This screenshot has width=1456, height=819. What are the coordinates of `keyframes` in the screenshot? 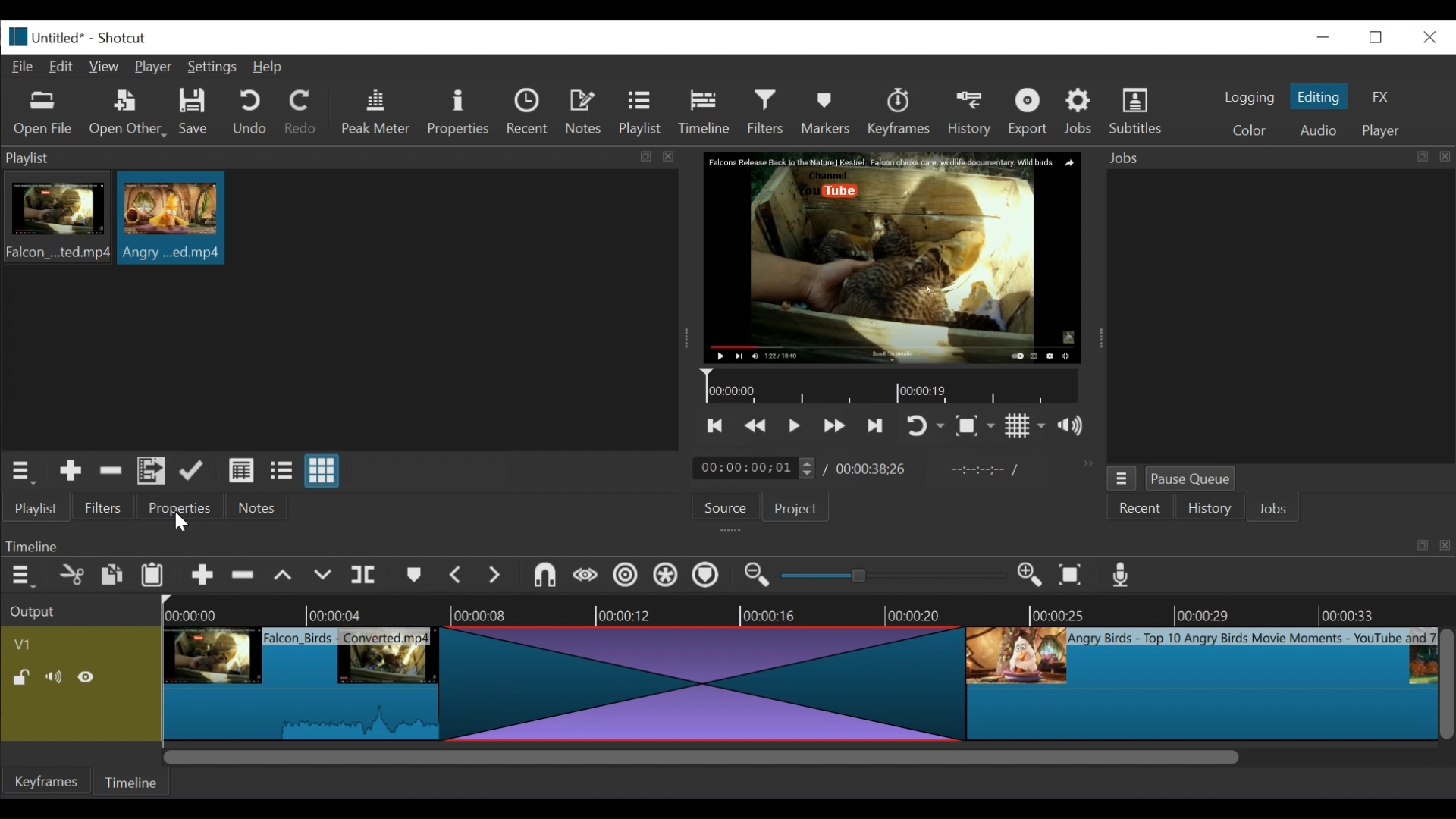 It's located at (900, 114).